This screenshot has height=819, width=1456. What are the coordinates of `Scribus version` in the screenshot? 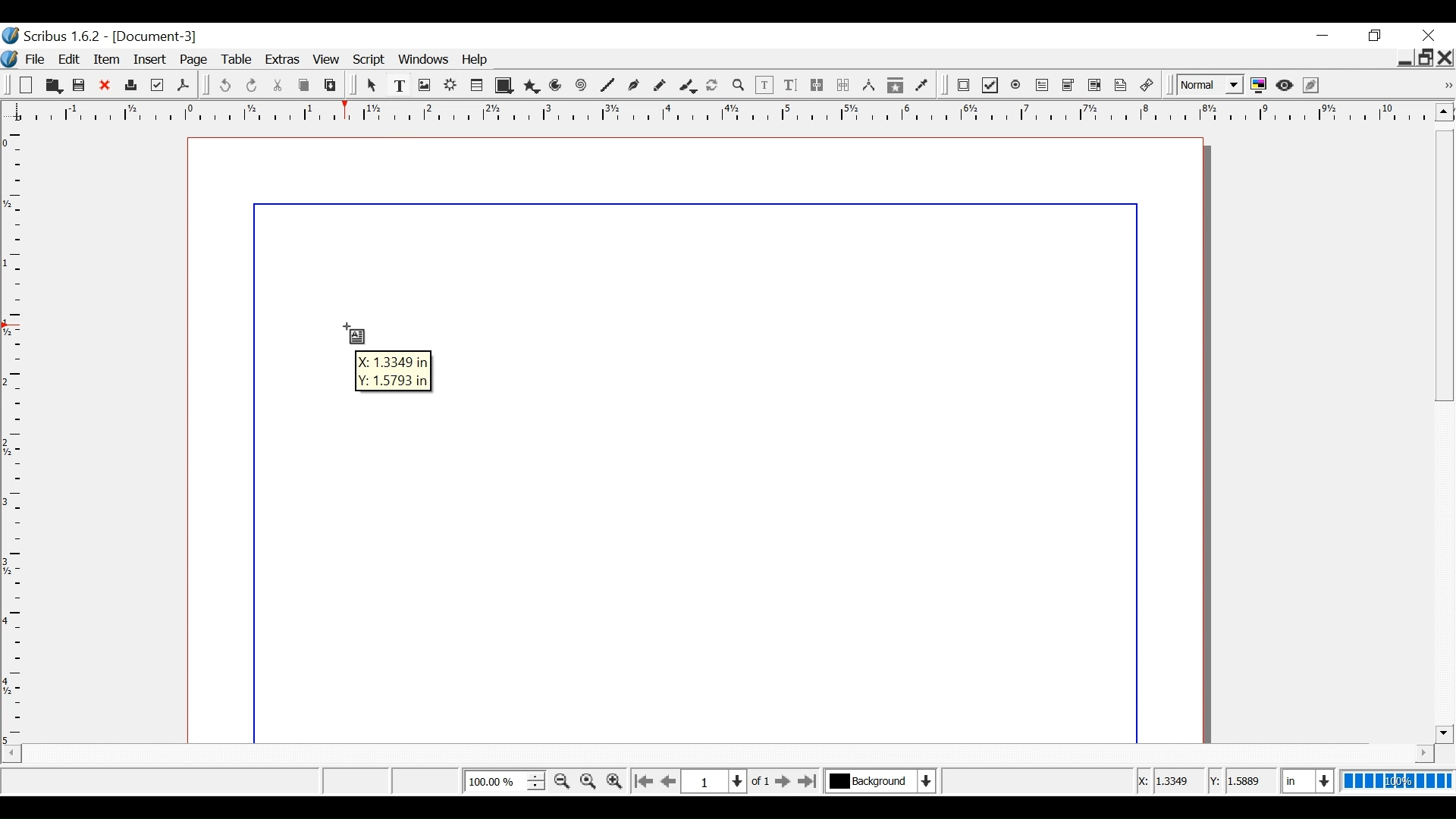 It's located at (52, 36).